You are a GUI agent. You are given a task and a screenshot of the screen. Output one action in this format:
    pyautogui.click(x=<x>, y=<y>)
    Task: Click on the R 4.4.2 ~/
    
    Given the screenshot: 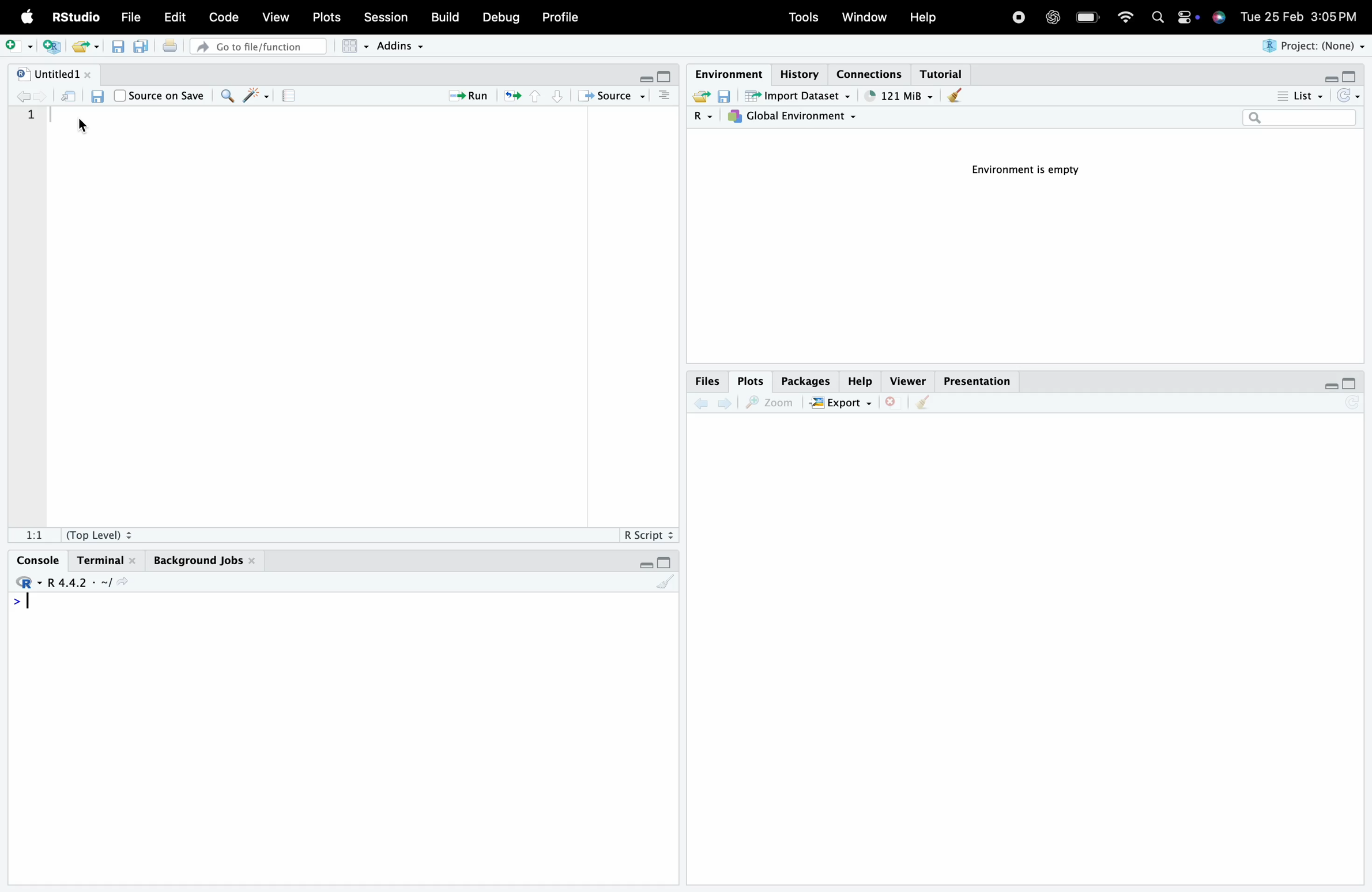 What is the action you would take?
    pyautogui.click(x=81, y=581)
    